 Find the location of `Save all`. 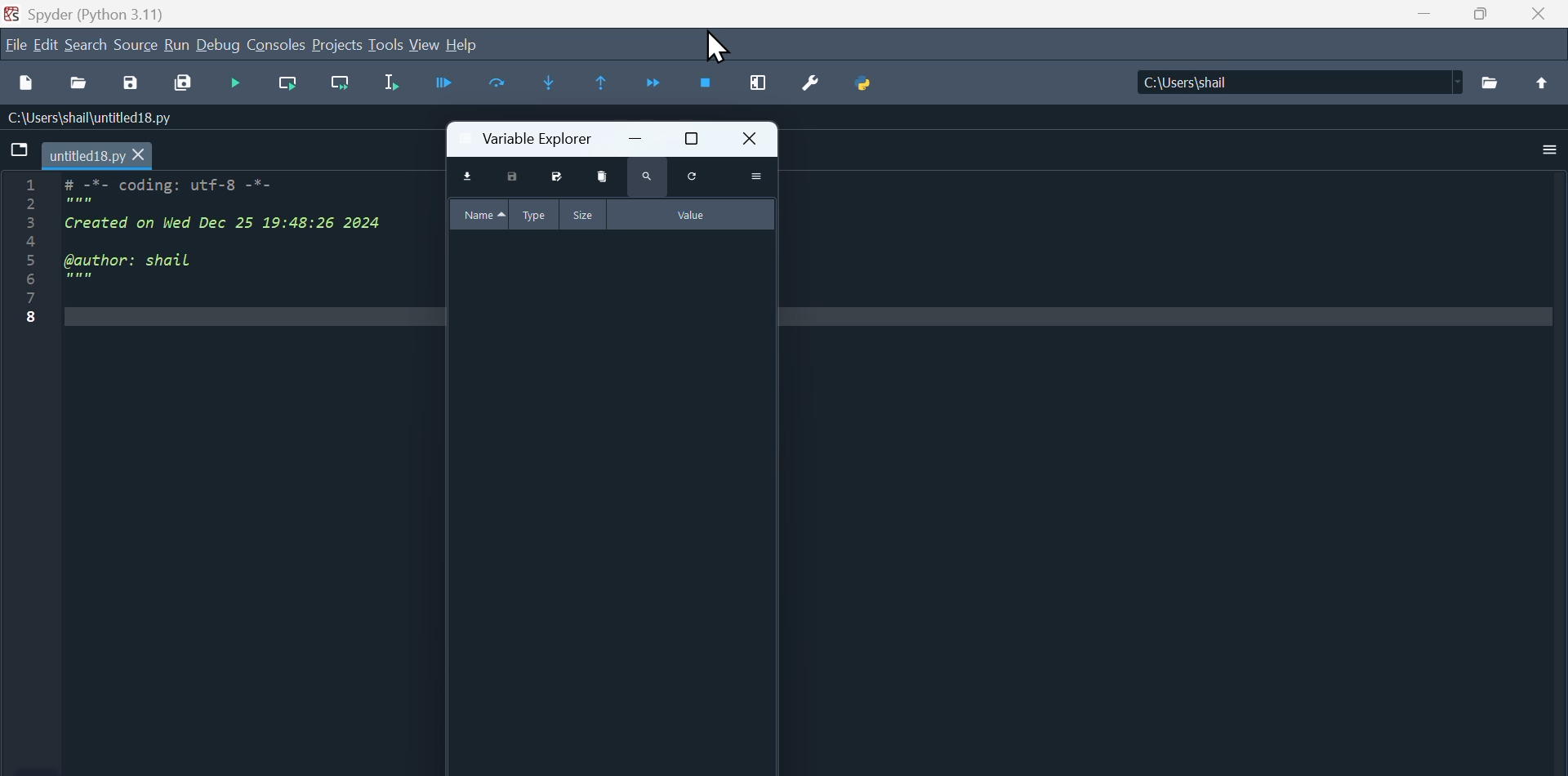

Save all is located at coordinates (184, 84).